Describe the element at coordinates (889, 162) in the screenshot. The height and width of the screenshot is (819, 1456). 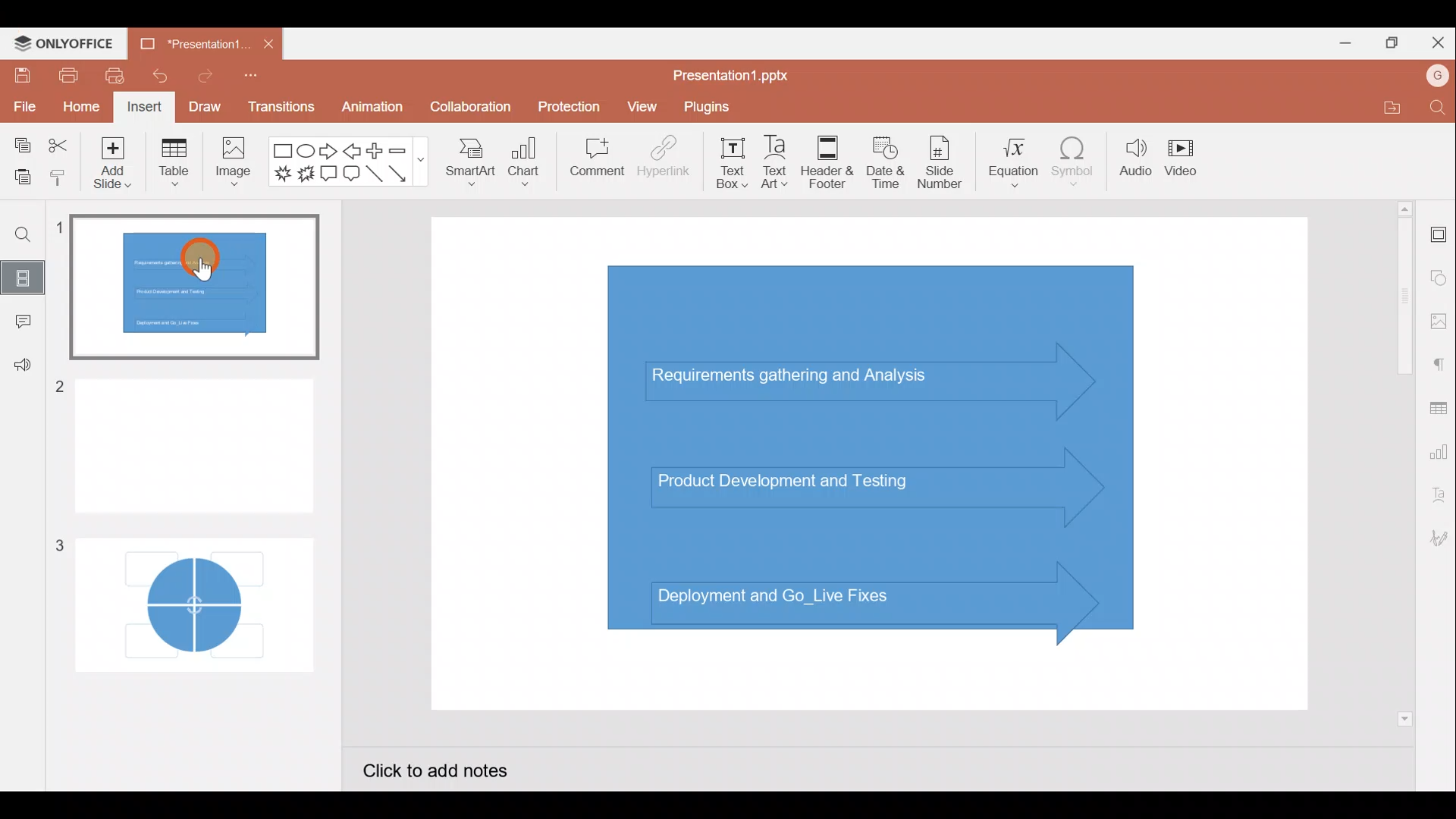
I see `Date & time` at that location.